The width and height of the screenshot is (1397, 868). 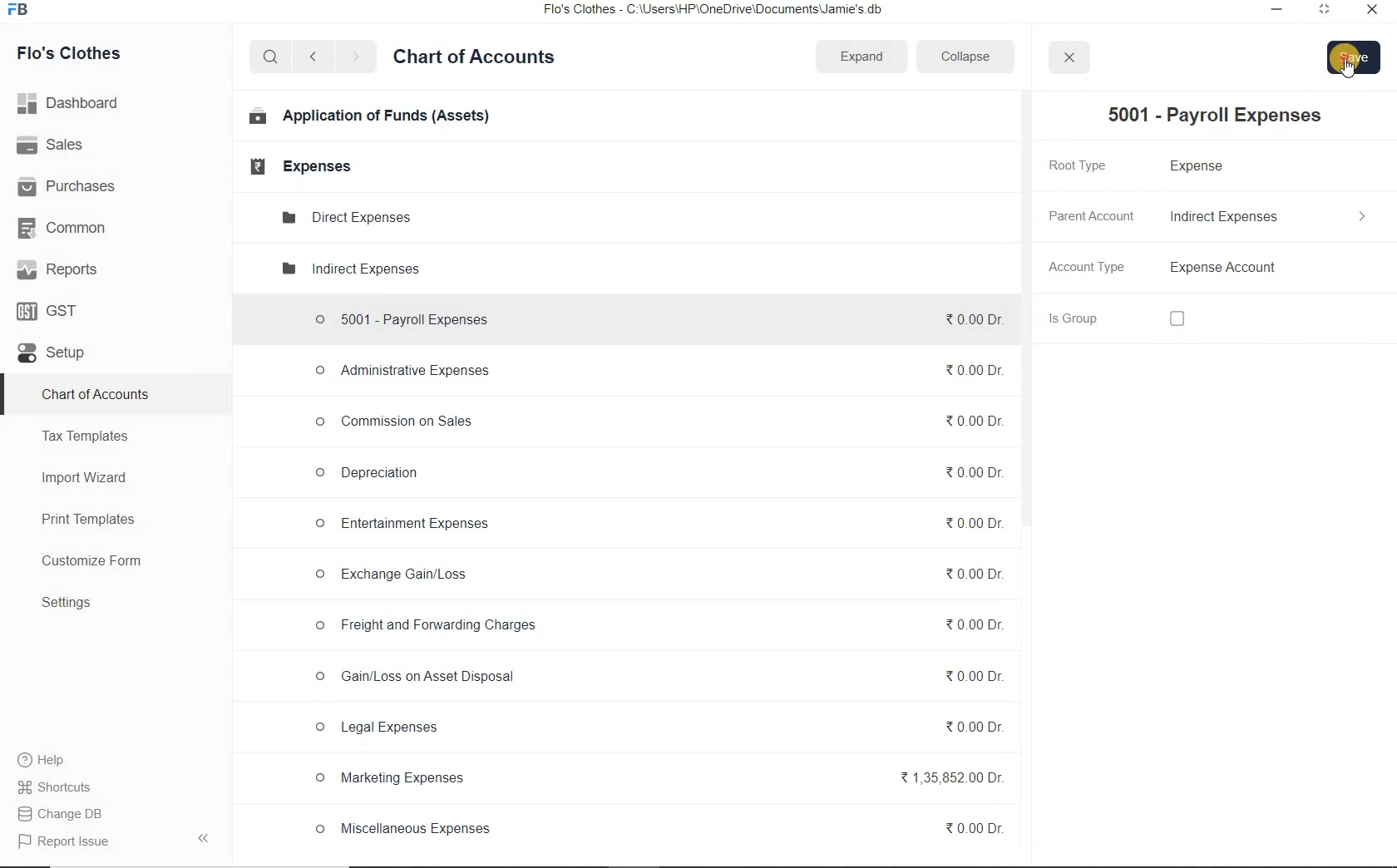 I want to click on Expand, so click(x=863, y=55).